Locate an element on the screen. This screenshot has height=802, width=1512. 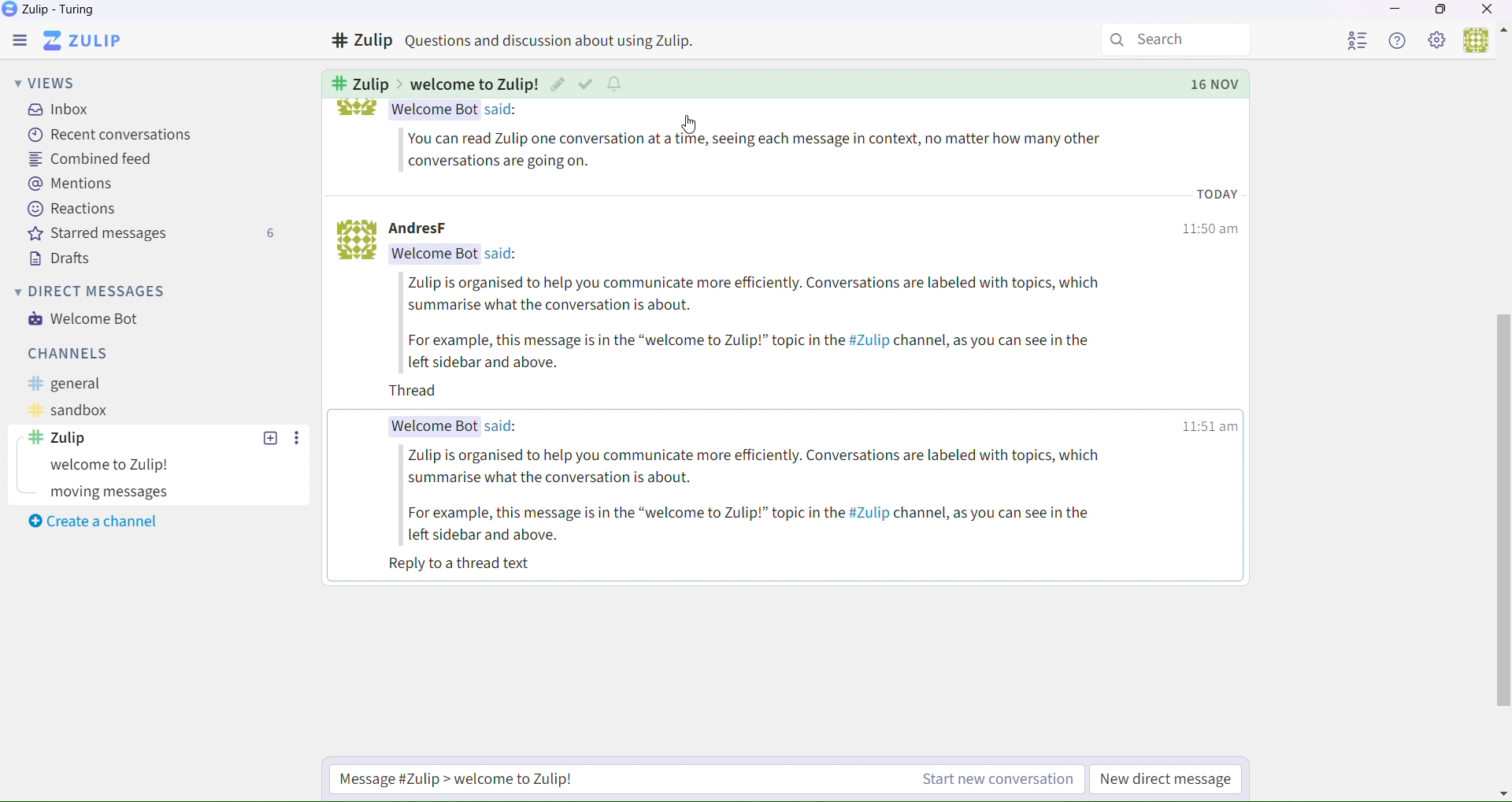
 is located at coordinates (1217, 83).